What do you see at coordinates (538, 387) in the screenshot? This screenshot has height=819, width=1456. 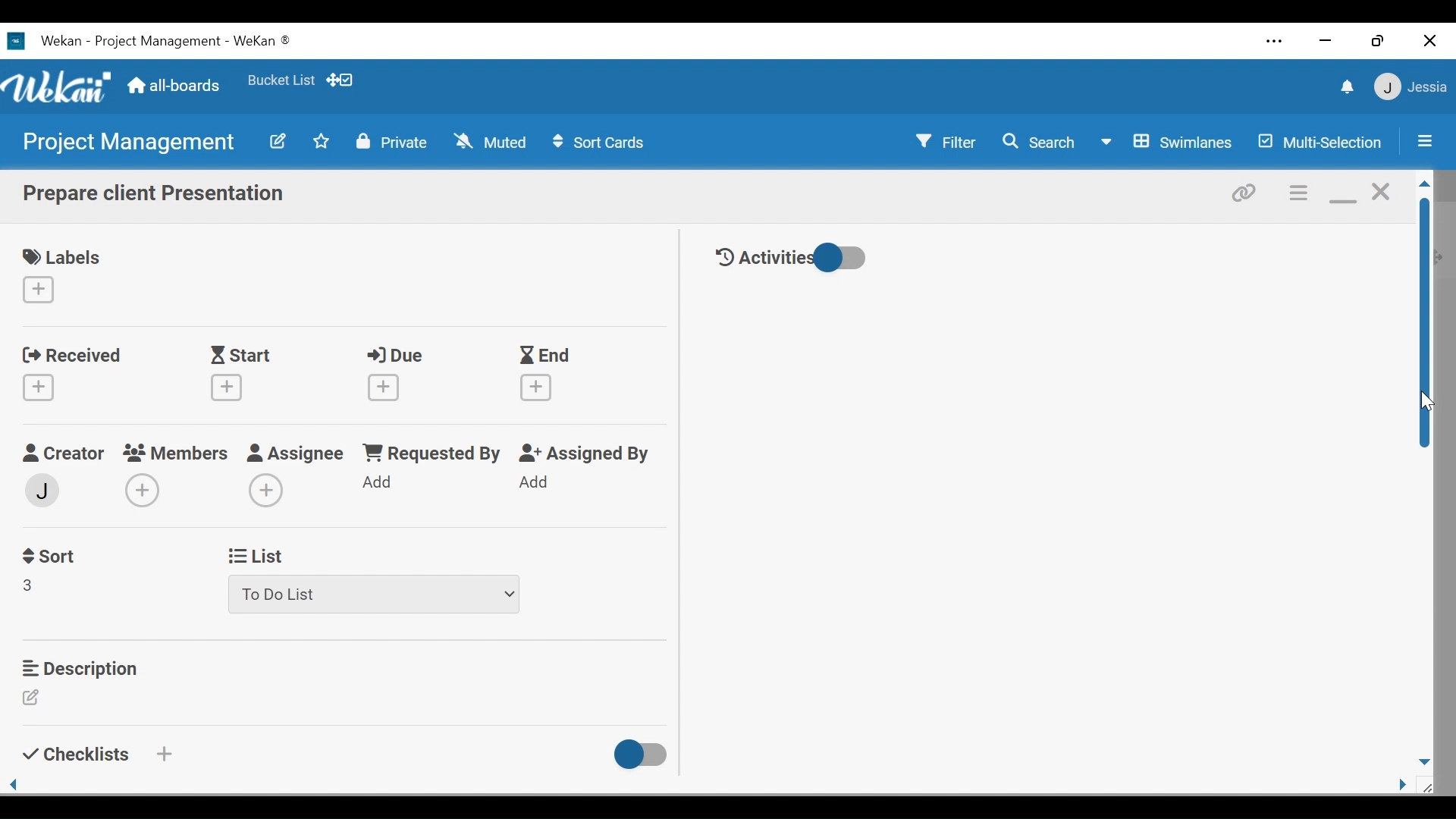 I see `Create End date` at bounding box center [538, 387].